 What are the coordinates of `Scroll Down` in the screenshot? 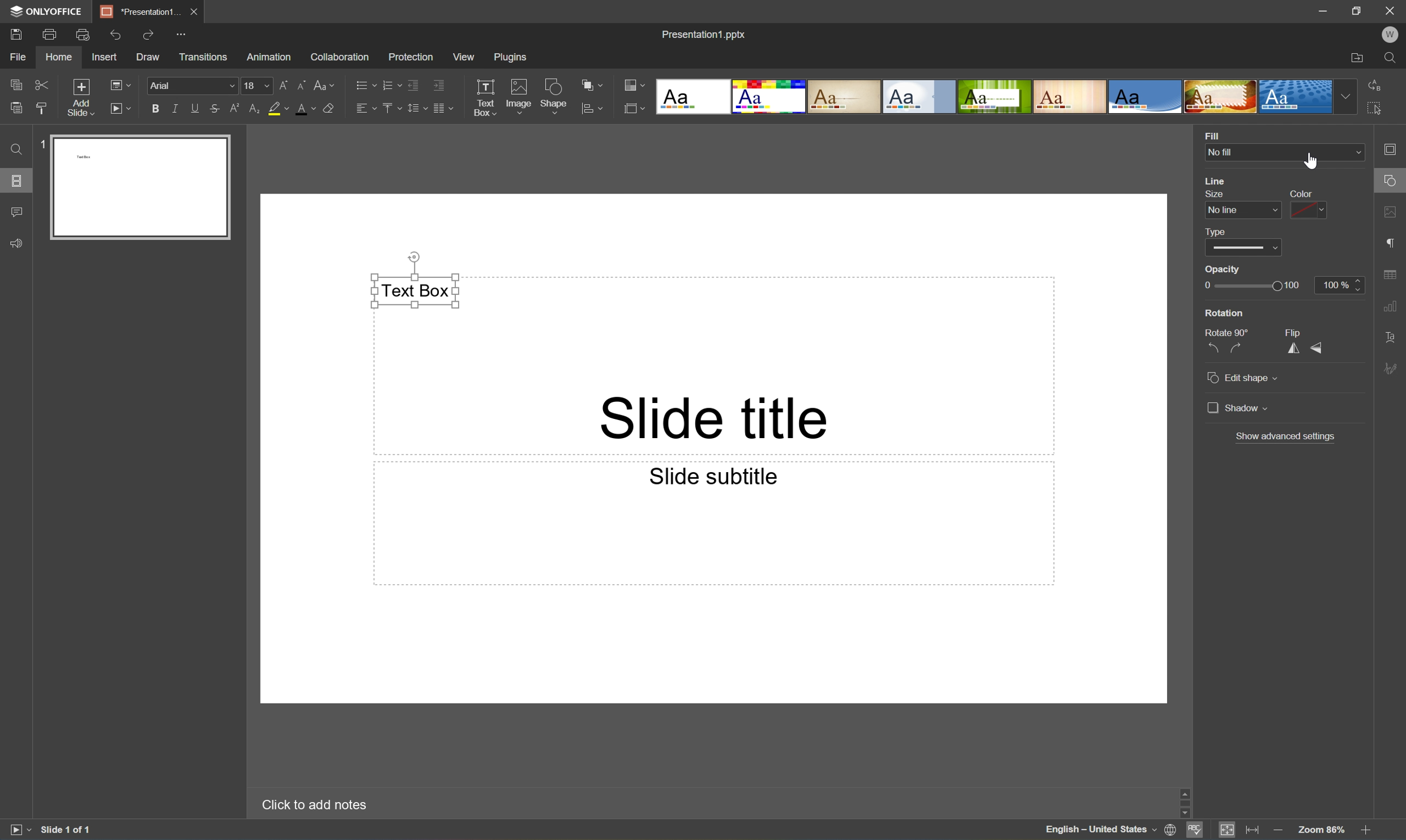 It's located at (1366, 812).